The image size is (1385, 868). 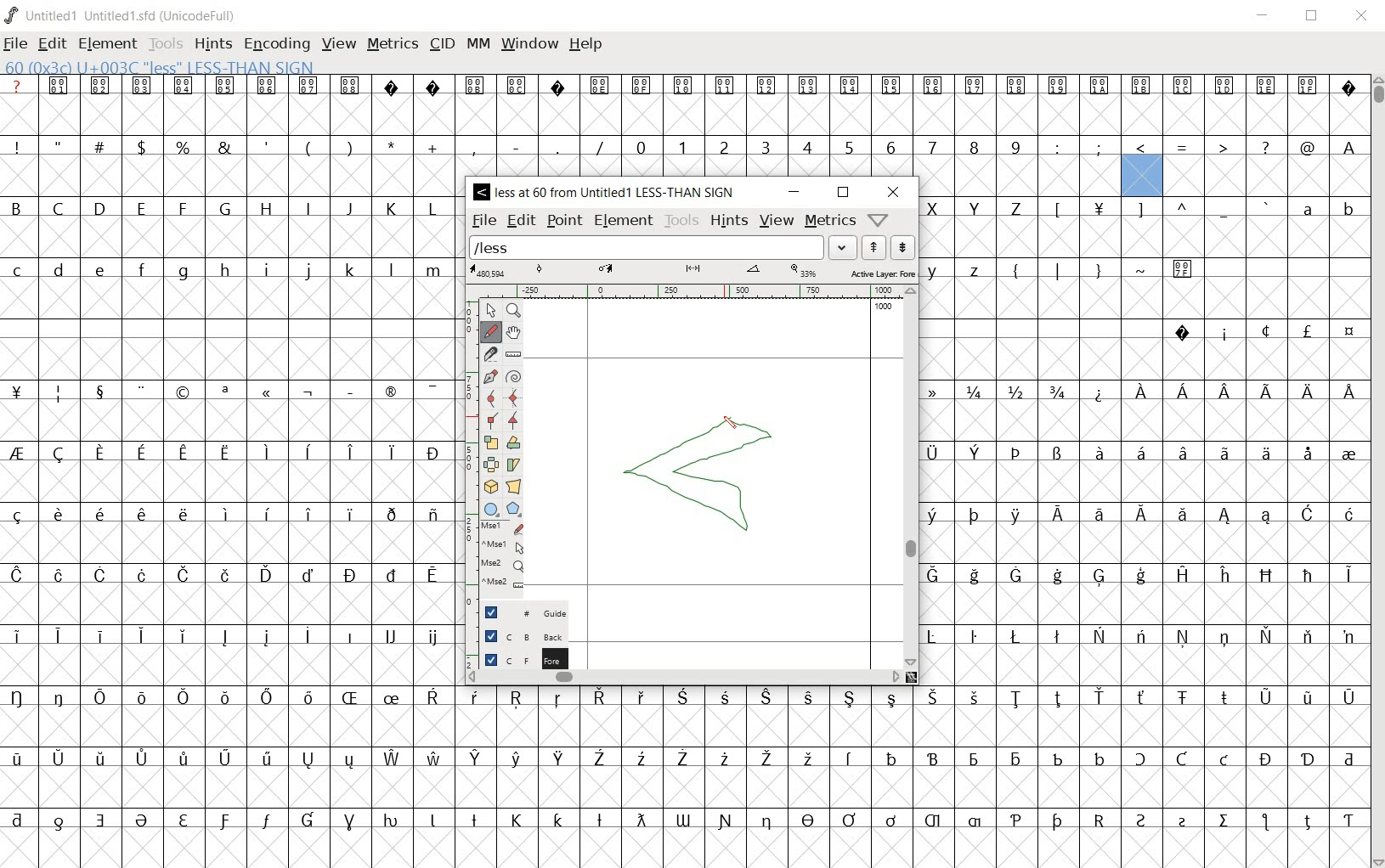 I want to click on small letters a b, so click(x=1324, y=208).